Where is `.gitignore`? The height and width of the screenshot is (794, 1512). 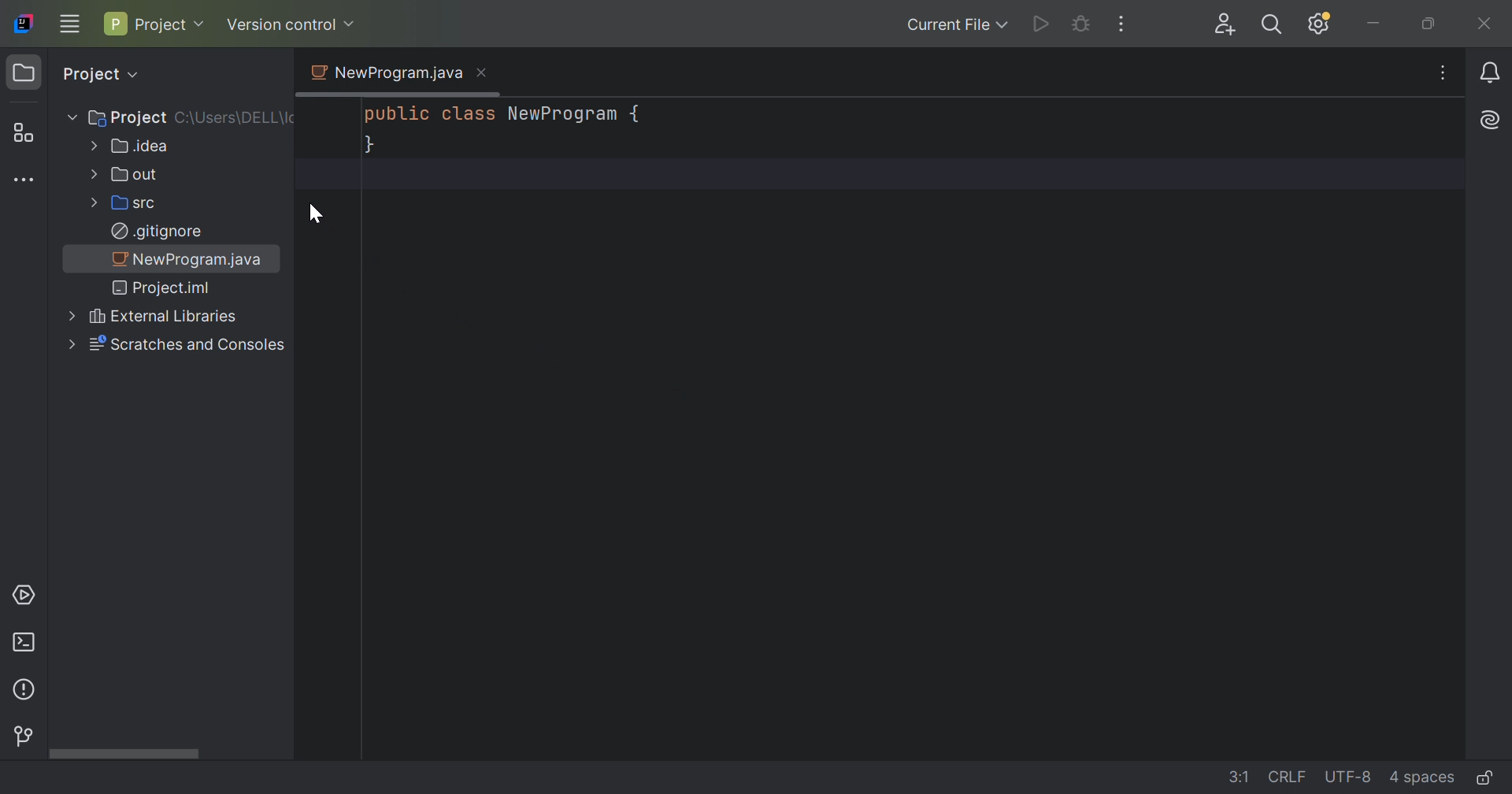 .gitignore is located at coordinates (157, 231).